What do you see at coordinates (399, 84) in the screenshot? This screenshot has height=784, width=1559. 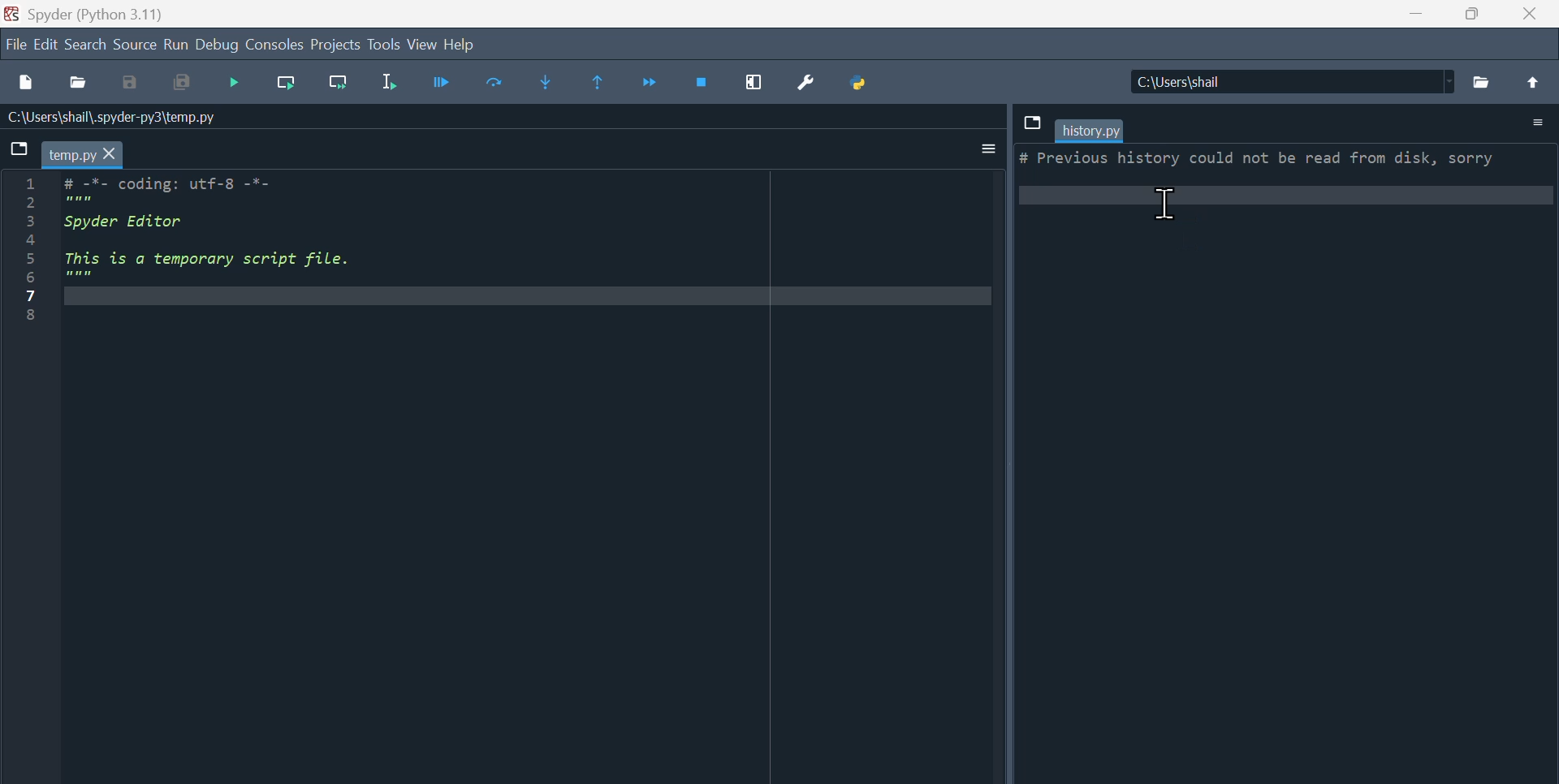 I see `Run selection` at bounding box center [399, 84].